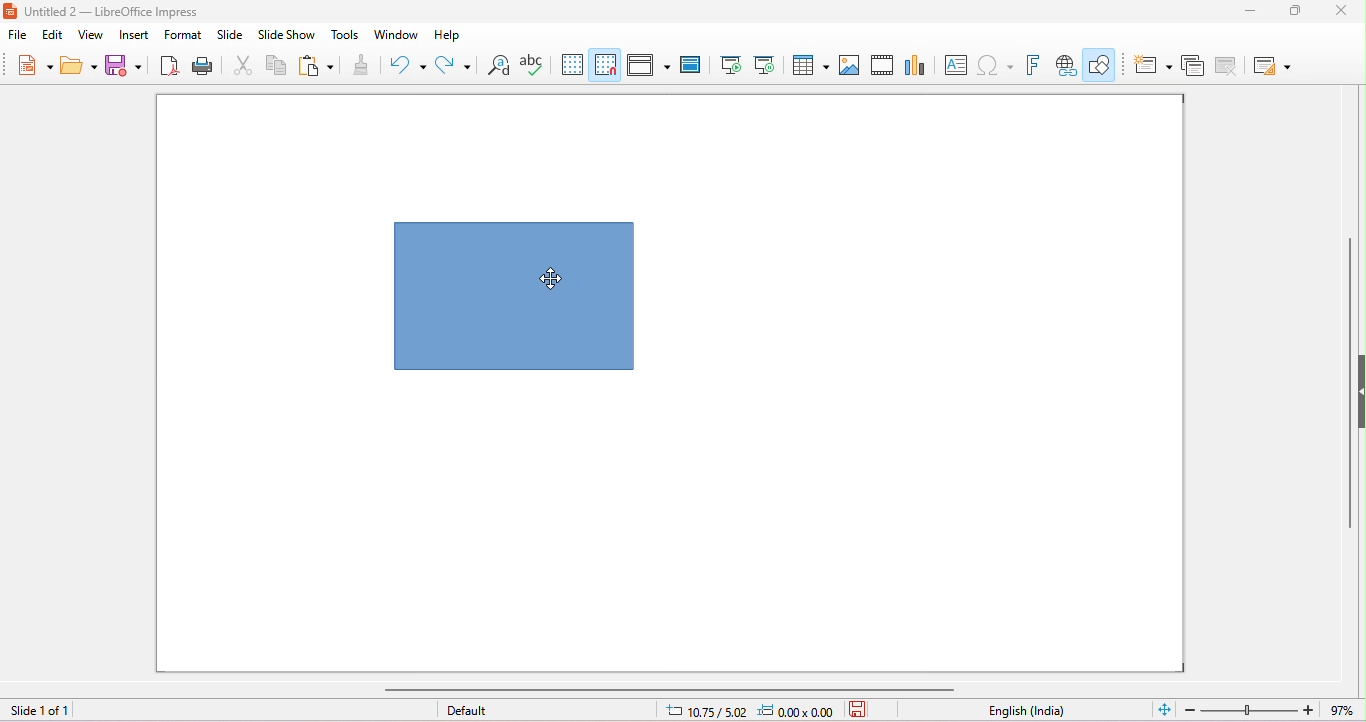 Image resolution: width=1366 pixels, height=722 pixels. What do you see at coordinates (243, 64) in the screenshot?
I see `cut` at bounding box center [243, 64].